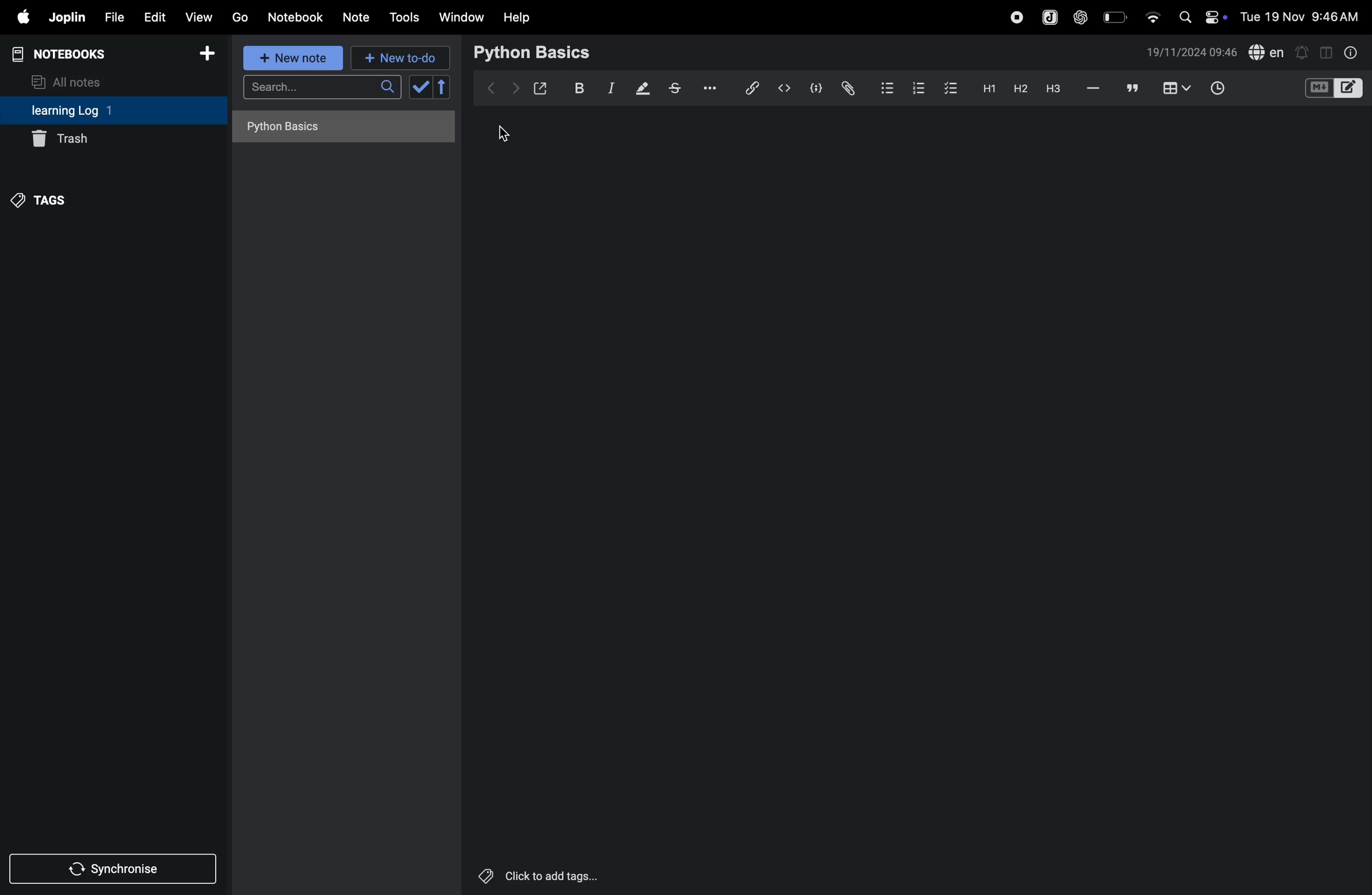 This screenshot has height=895, width=1372. I want to click on comment, so click(1133, 89).